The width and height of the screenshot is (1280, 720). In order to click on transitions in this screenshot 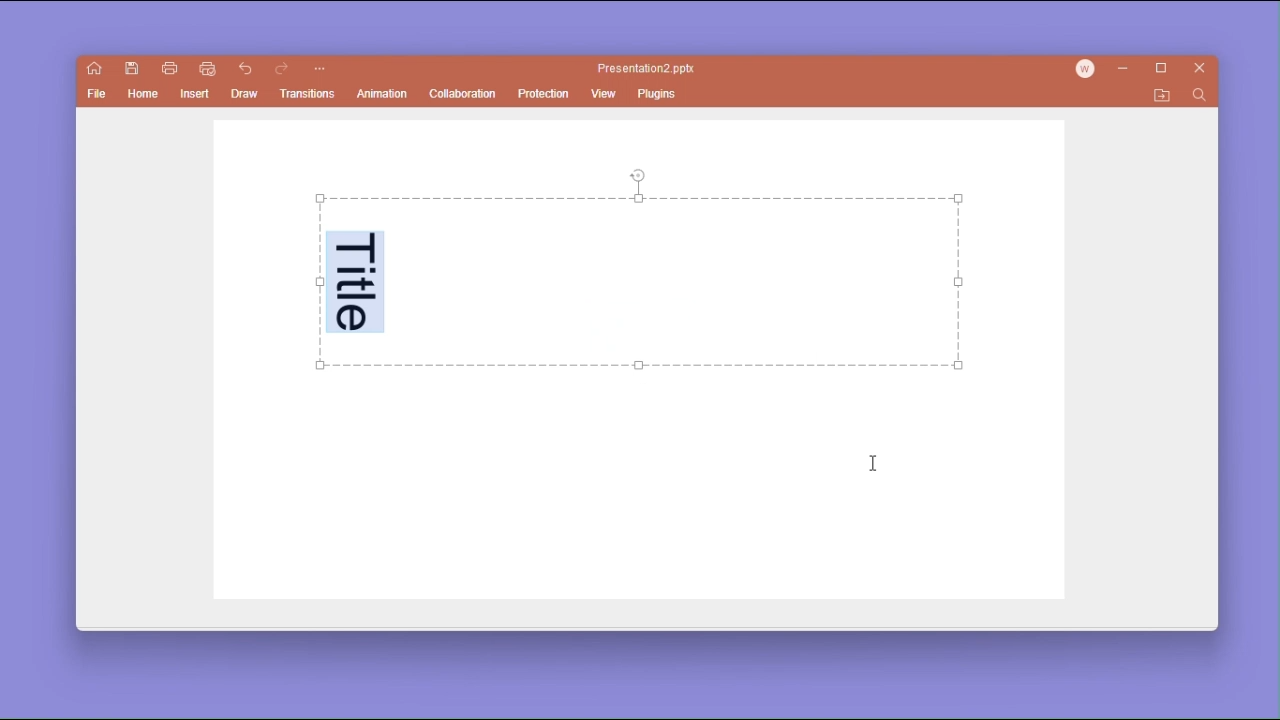, I will do `click(311, 94)`.